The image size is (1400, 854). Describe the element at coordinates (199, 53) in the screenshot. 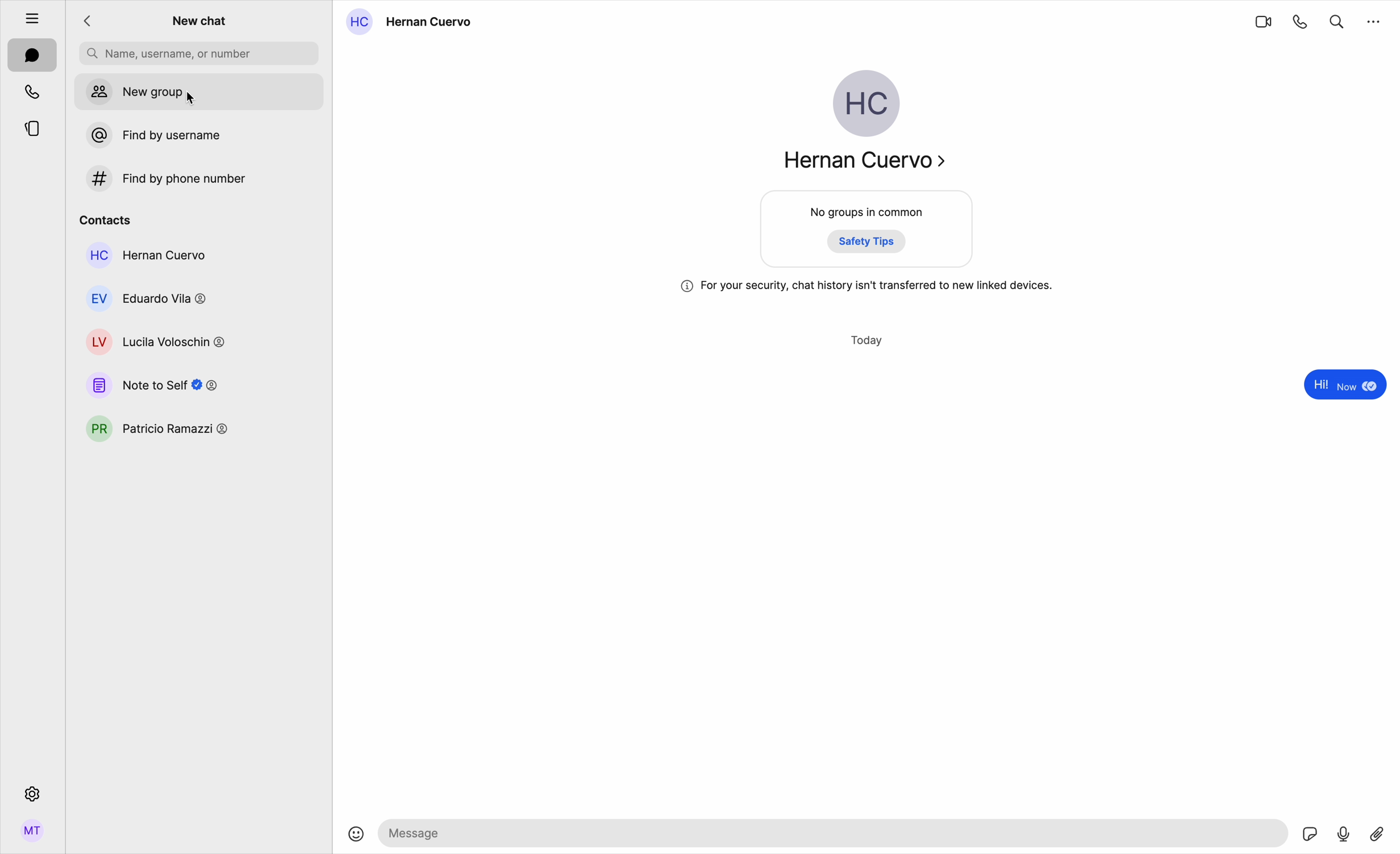

I see `search bar` at that location.